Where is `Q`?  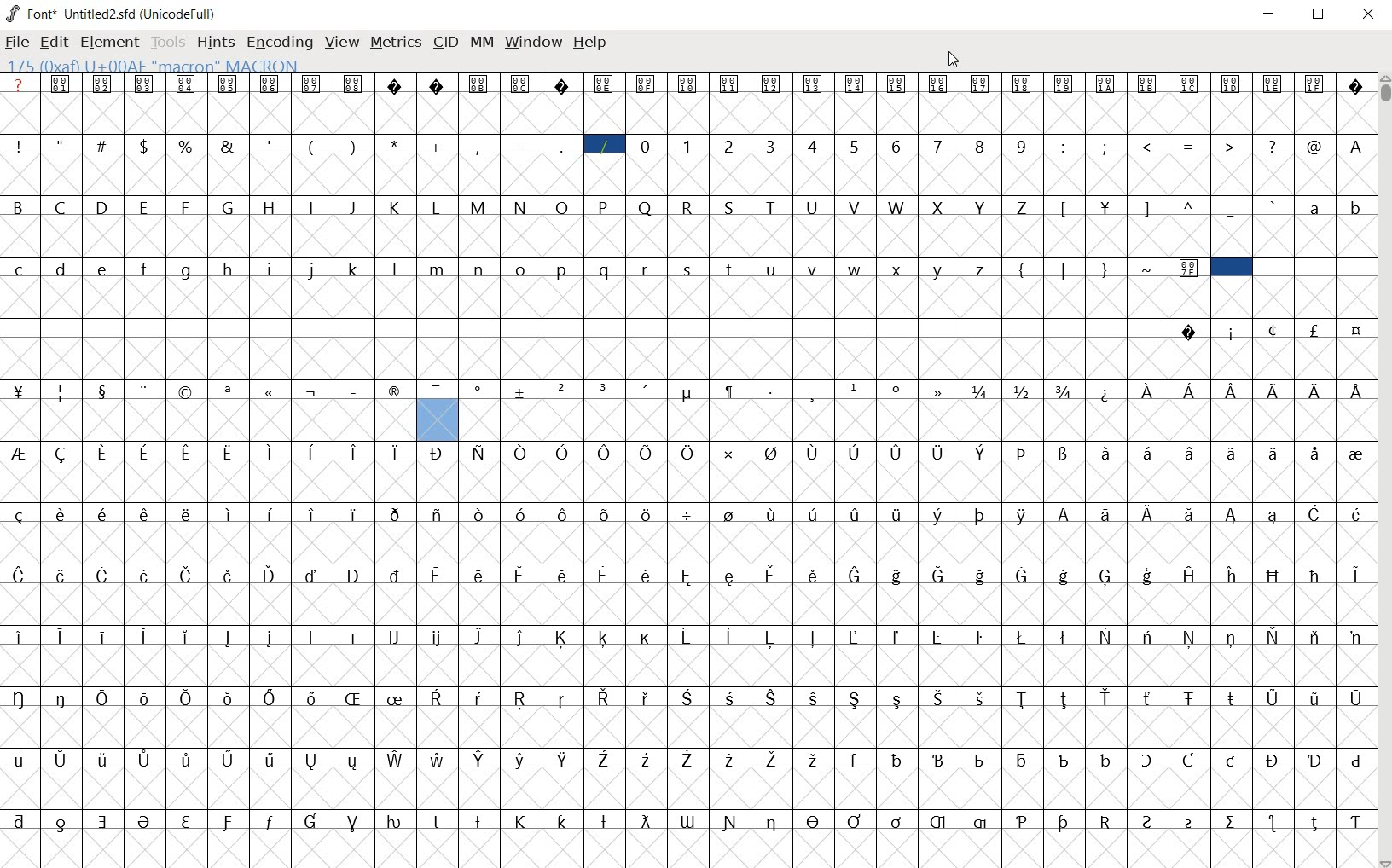 Q is located at coordinates (647, 205).